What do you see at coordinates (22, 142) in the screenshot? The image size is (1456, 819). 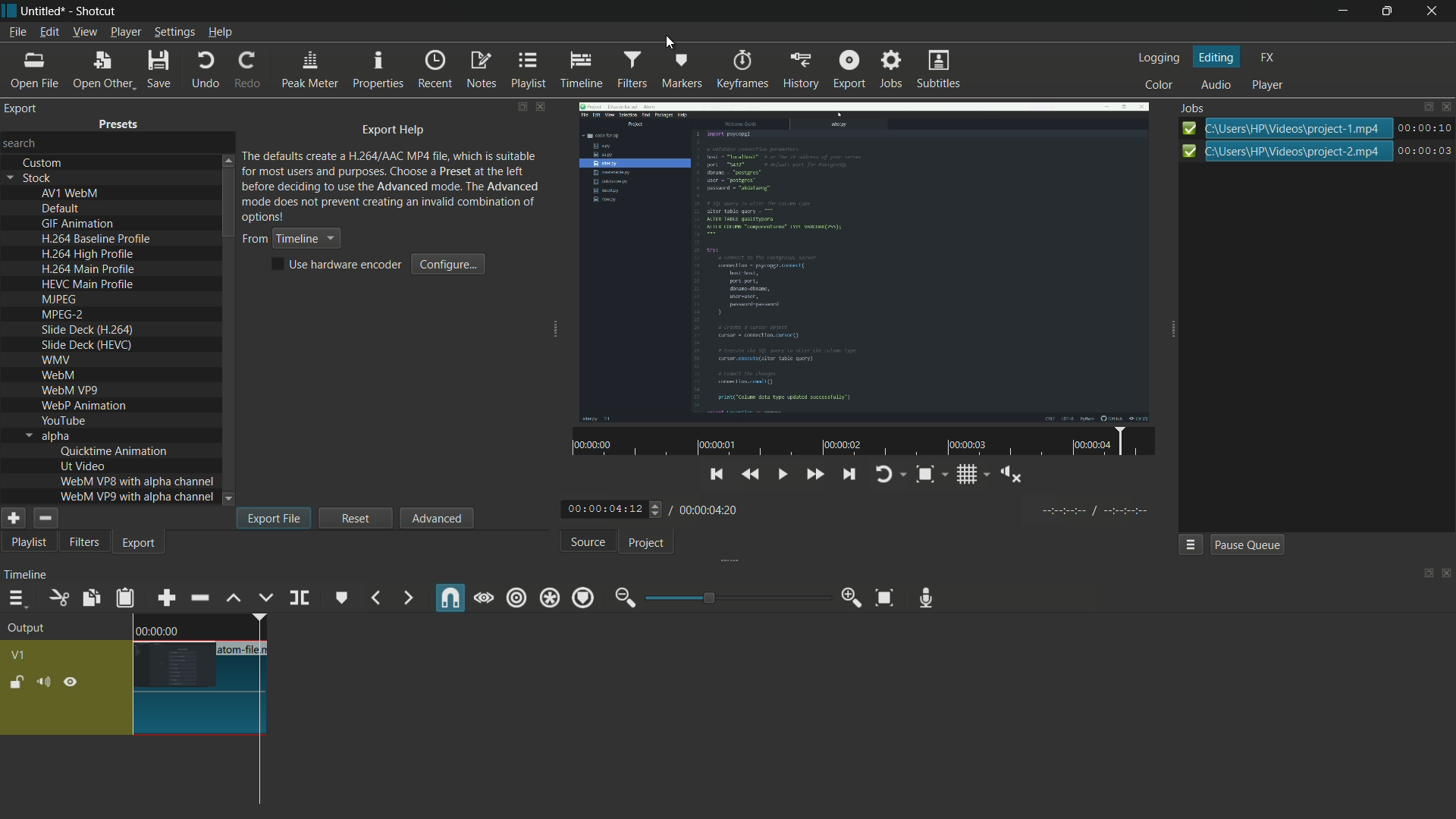 I see `search` at bounding box center [22, 142].